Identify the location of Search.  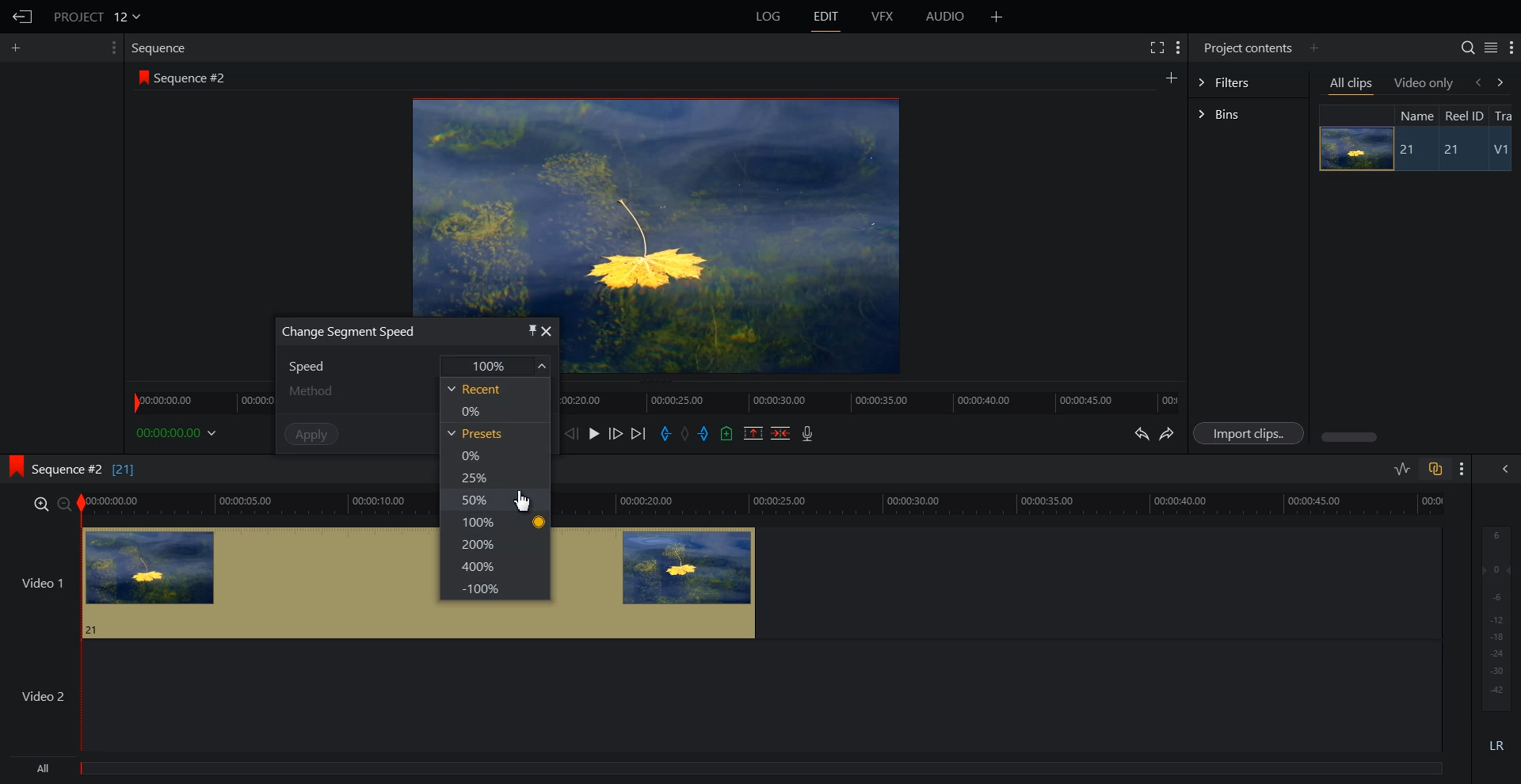
(1467, 48).